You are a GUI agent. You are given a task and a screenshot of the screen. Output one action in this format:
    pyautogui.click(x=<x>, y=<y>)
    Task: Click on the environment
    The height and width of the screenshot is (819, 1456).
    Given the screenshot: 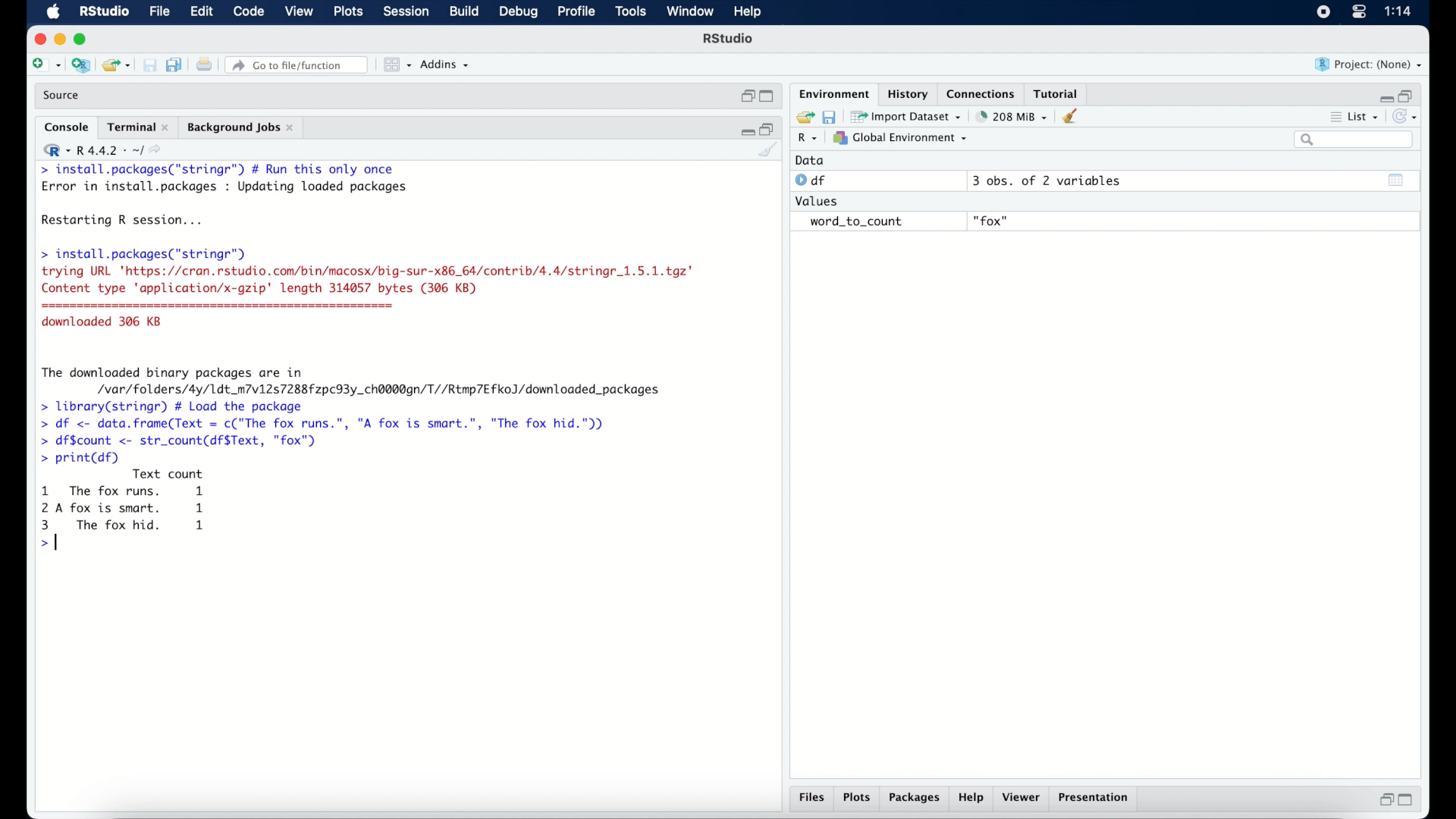 What is the action you would take?
    pyautogui.click(x=833, y=93)
    